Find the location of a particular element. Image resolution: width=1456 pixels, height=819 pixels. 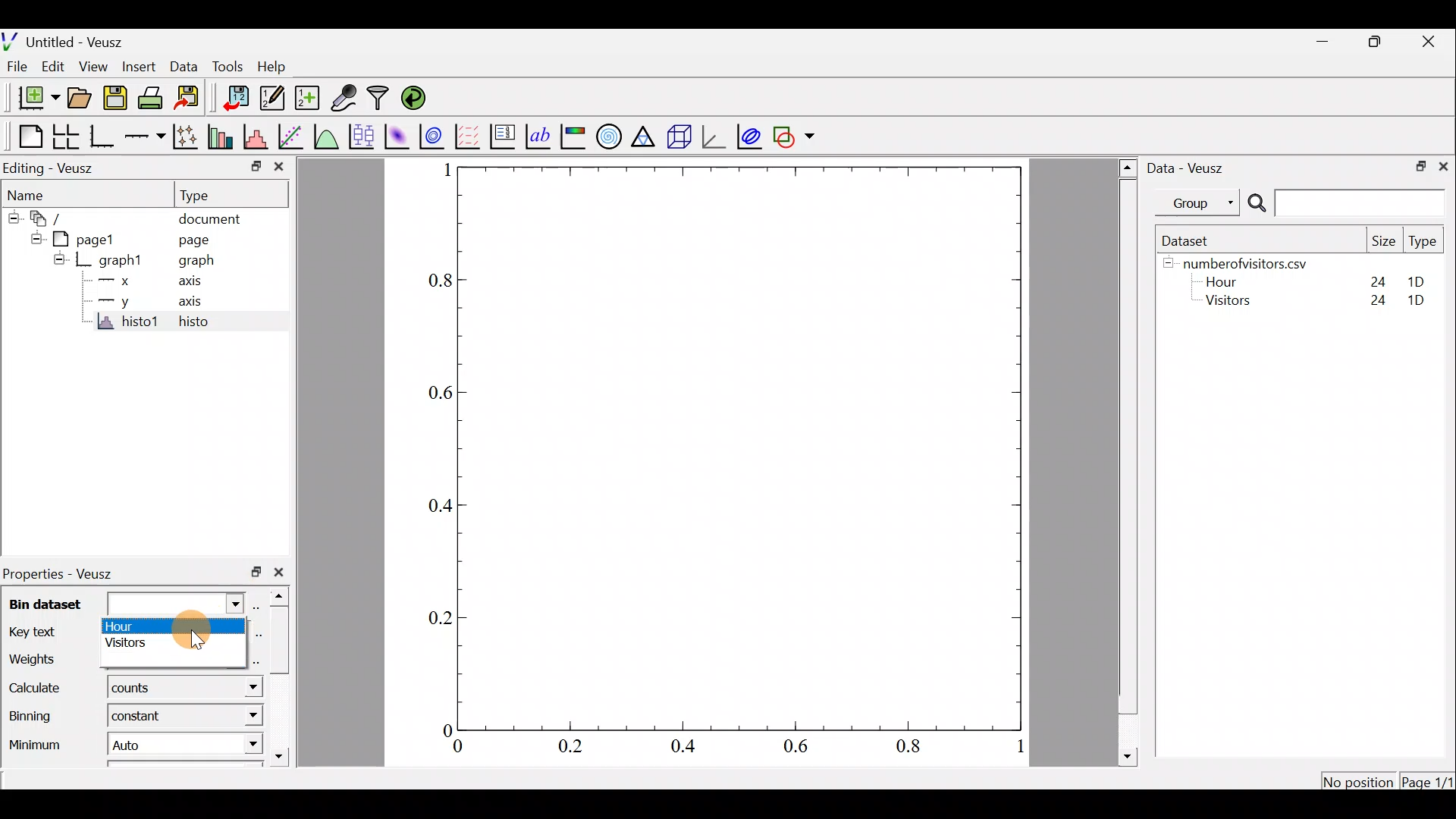

Size is located at coordinates (1385, 242).